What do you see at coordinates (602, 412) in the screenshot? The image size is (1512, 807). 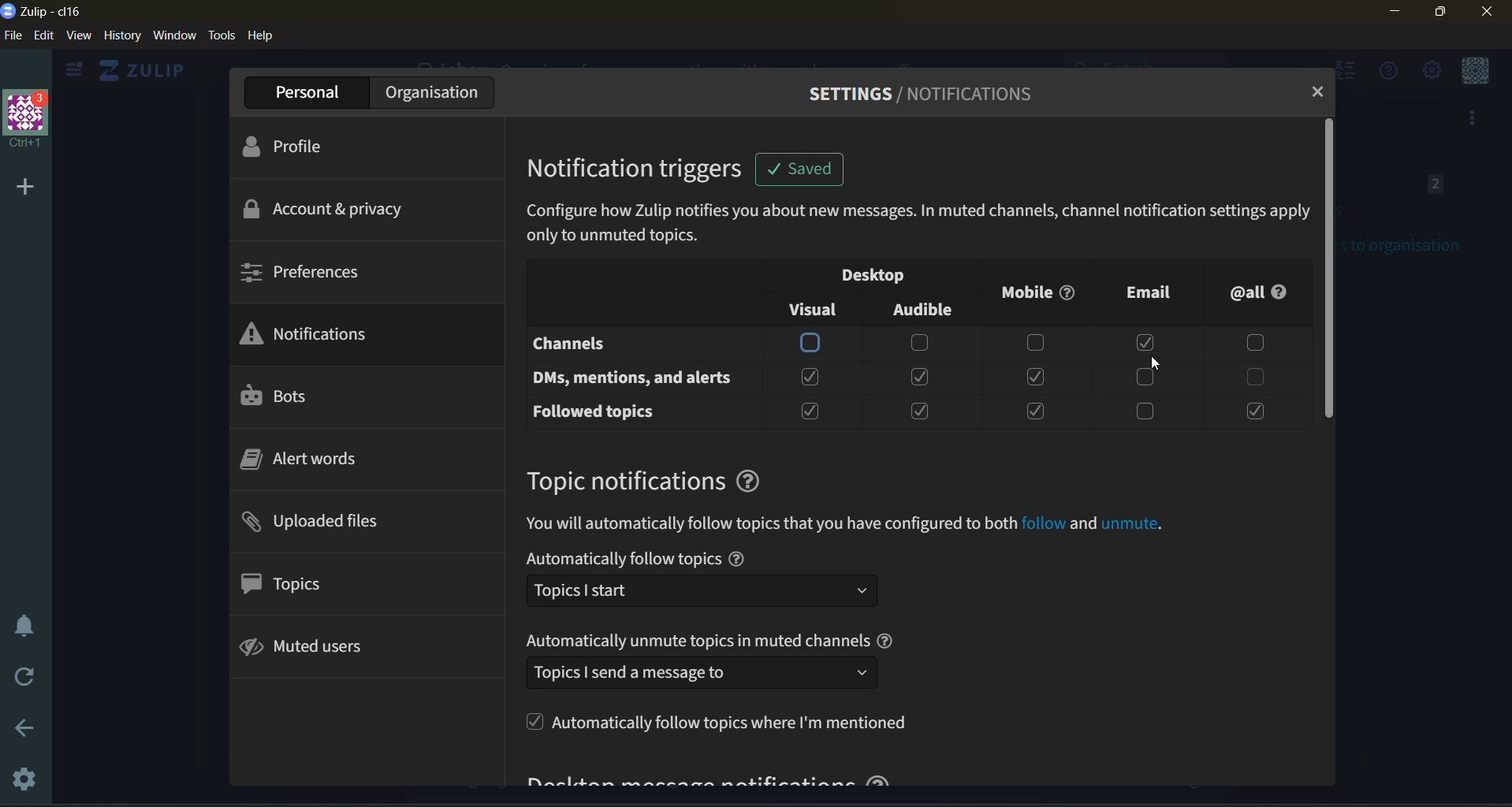 I see `followed topics` at bounding box center [602, 412].